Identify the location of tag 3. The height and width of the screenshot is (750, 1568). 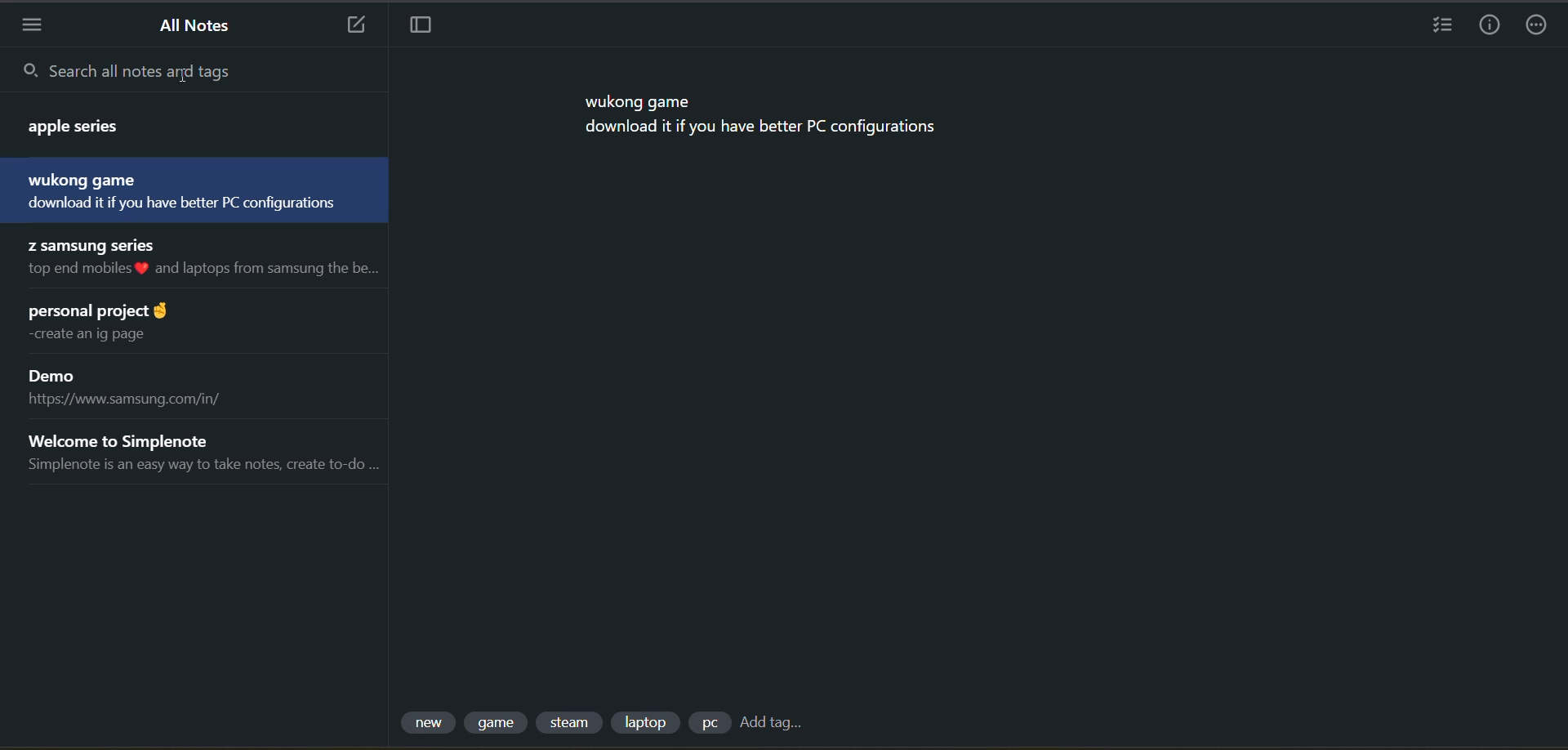
(572, 721).